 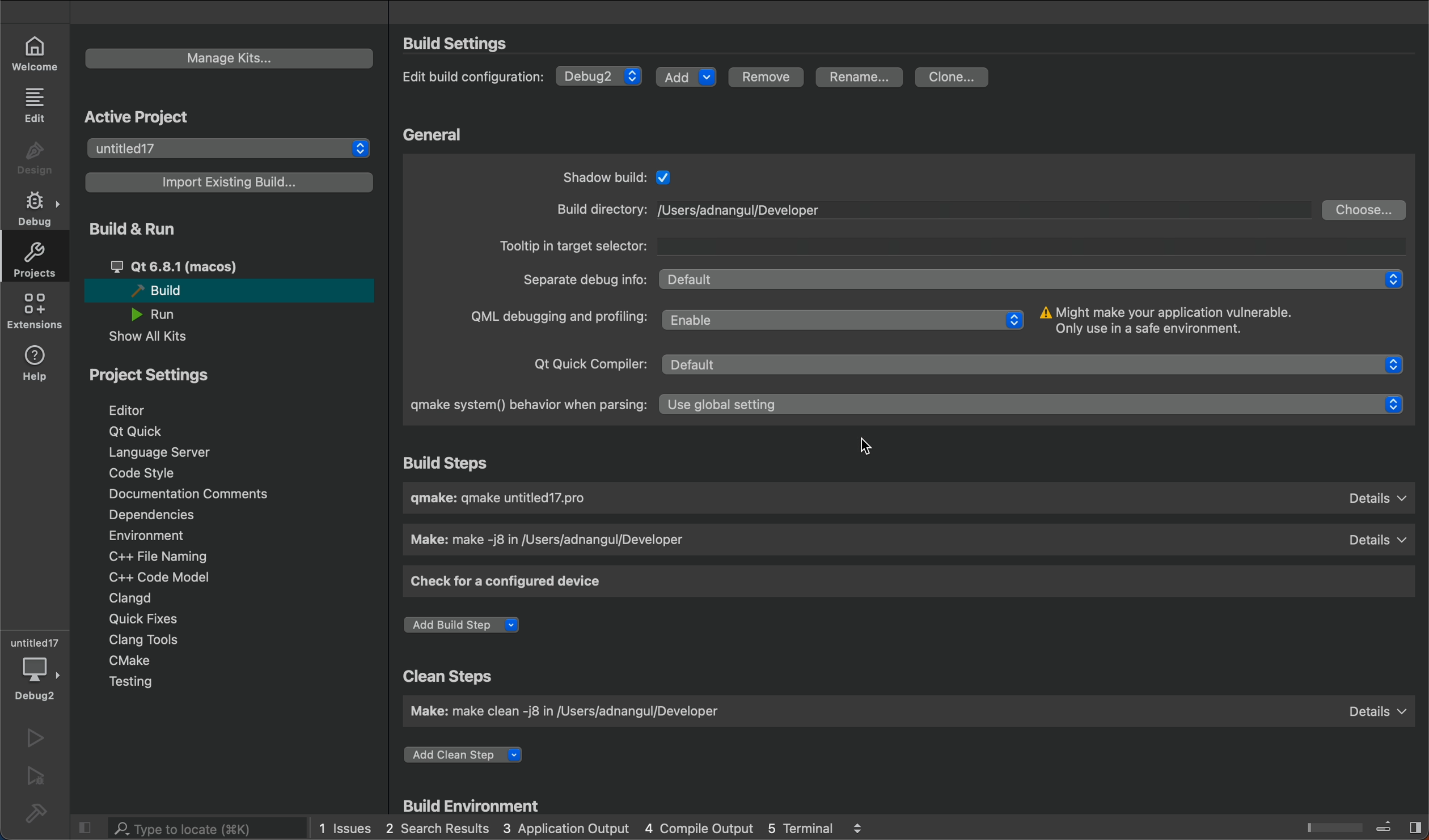 I want to click on debug, so click(x=36, y=211).